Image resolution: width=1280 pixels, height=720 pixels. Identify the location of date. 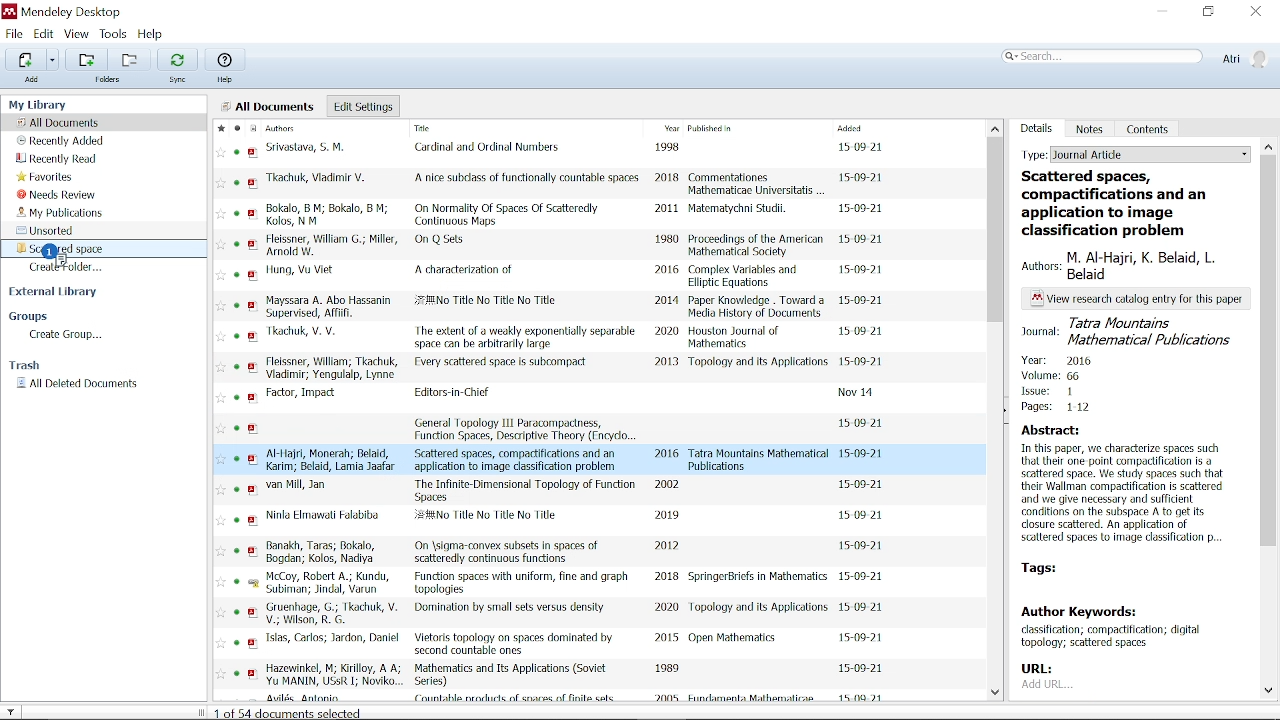
(862, 485).